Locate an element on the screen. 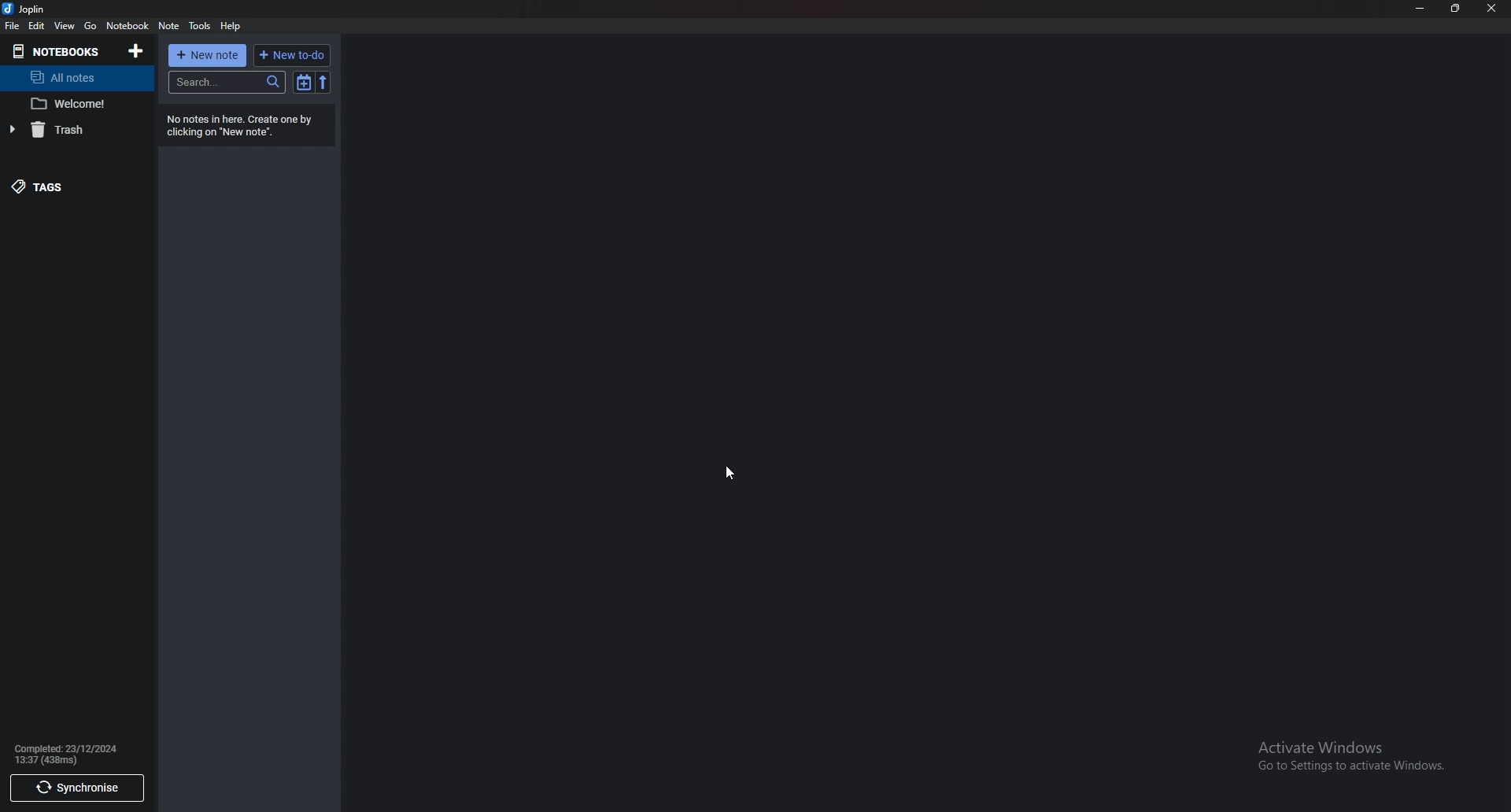 Image resolution: width=1511 pixels, height=812 pixels. New note is located at coordinates (209, 55).